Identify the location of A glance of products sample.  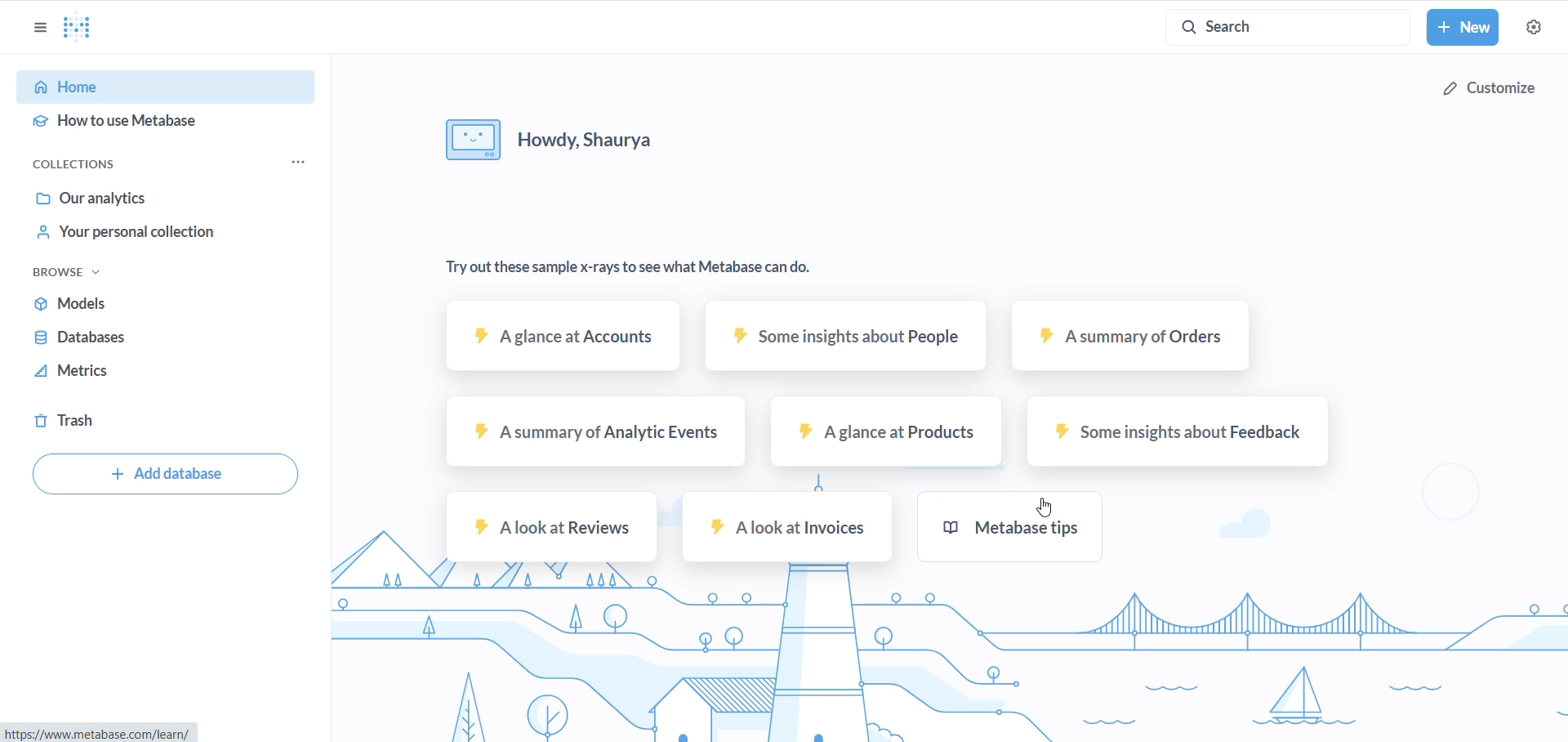
(893, 438).